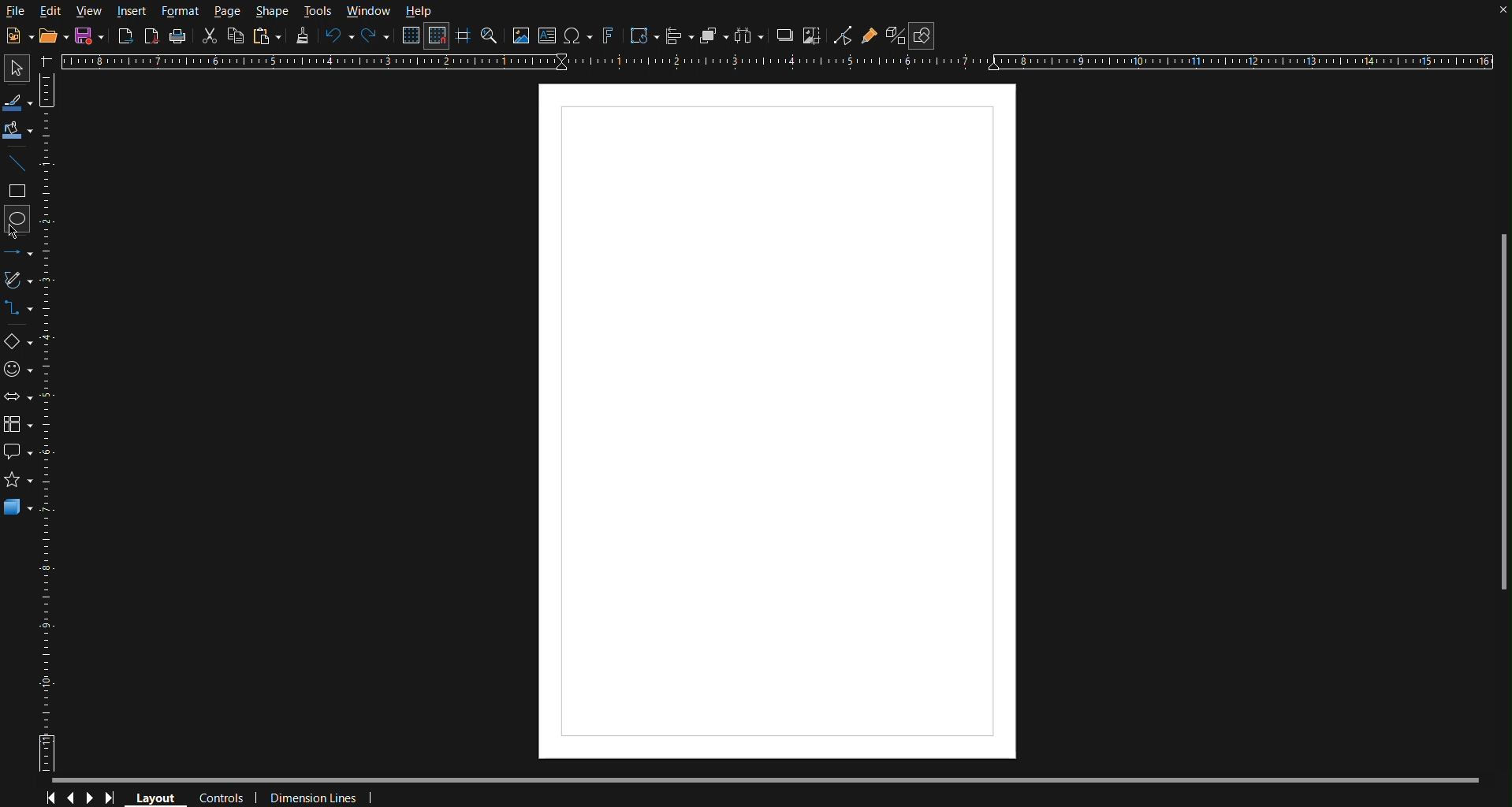 Image resolution: width=1512 pixels, height=807 pixels. I want to click on star shape, so click(20, 478).